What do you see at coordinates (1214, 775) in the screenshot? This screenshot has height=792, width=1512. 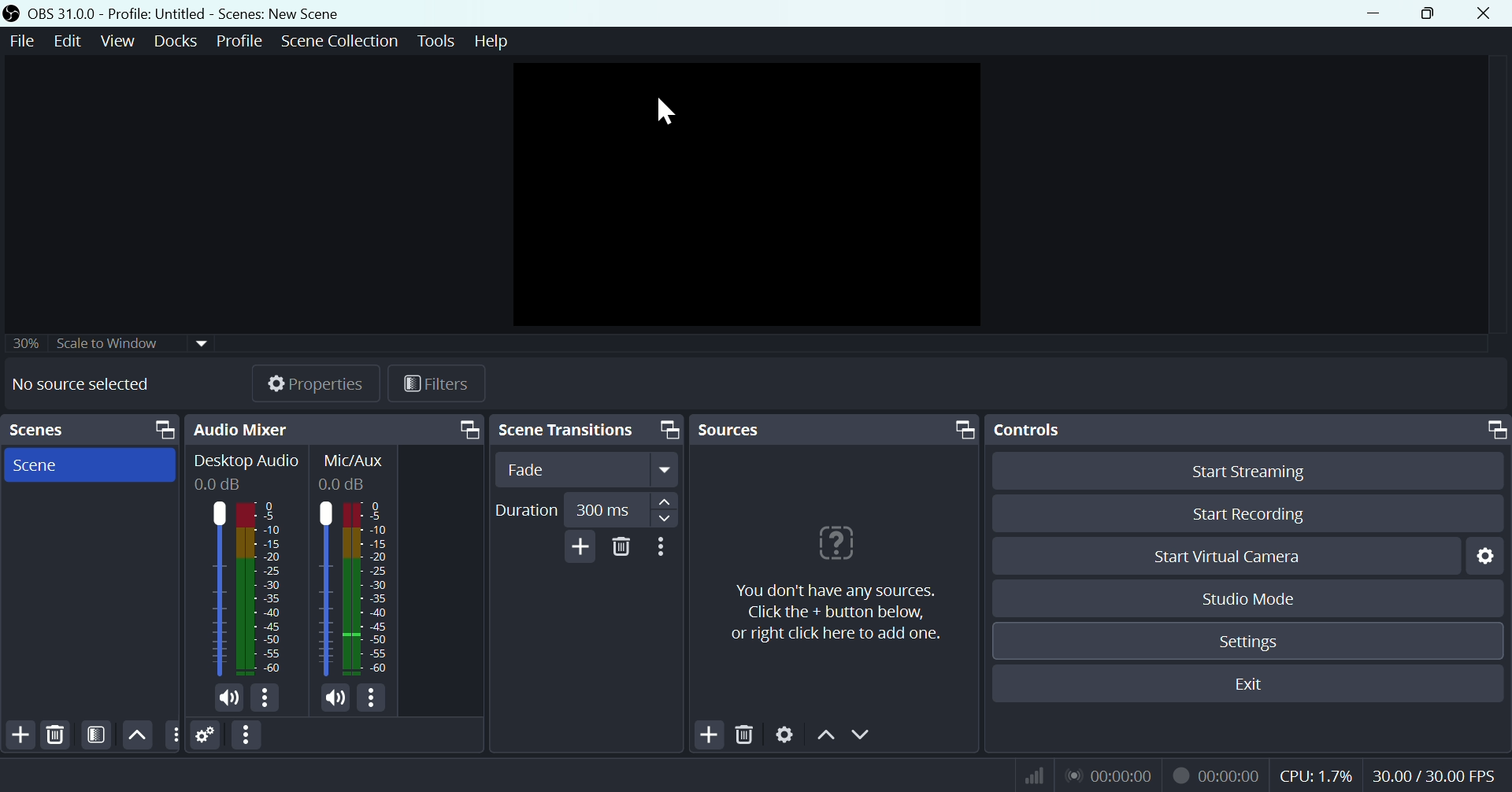 I see `recording timer` at bounding box center [1214, 775].